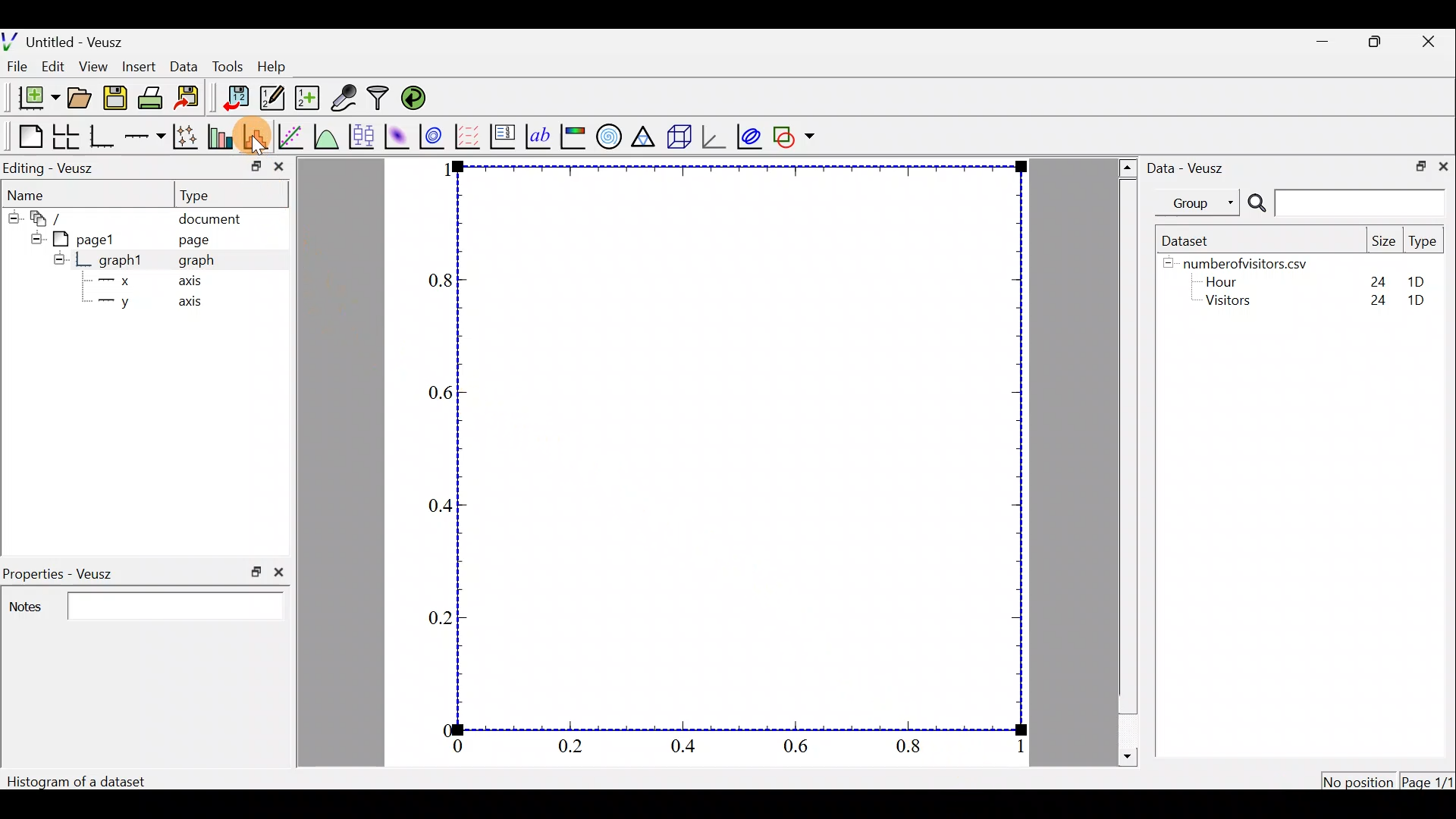  What do you see at coordinates (501, 136) in the screenshot?
I see `plot key` at bounding box center [501, 136].